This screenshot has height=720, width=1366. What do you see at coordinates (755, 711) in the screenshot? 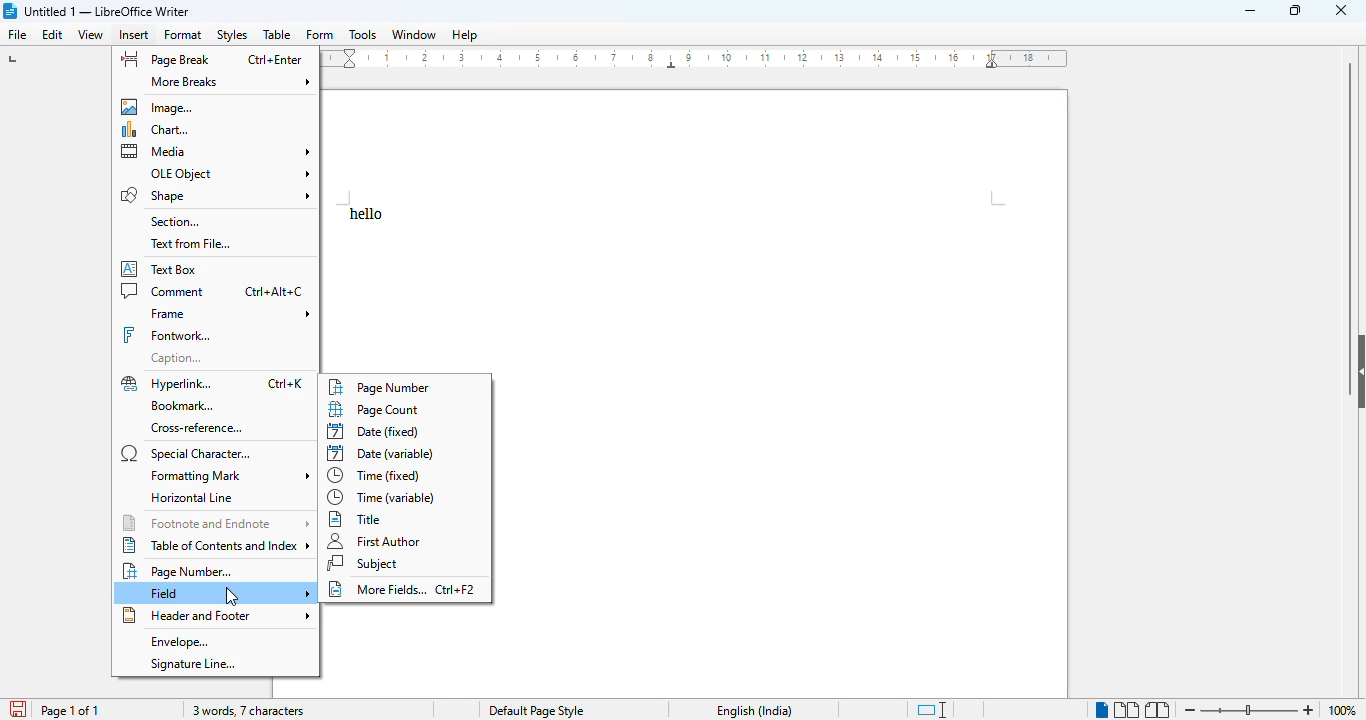
I see `text language` at bounding box center [755, 711].